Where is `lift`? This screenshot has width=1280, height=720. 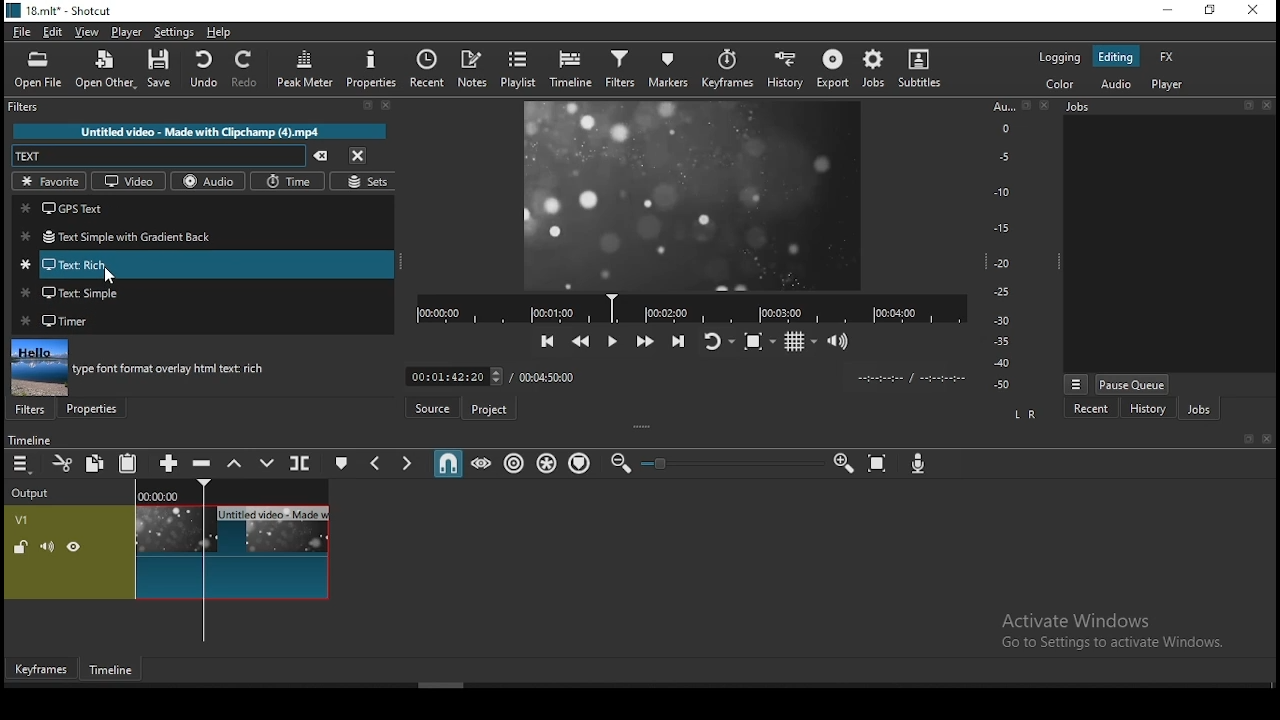
lift is located at coordinates (235, 462).